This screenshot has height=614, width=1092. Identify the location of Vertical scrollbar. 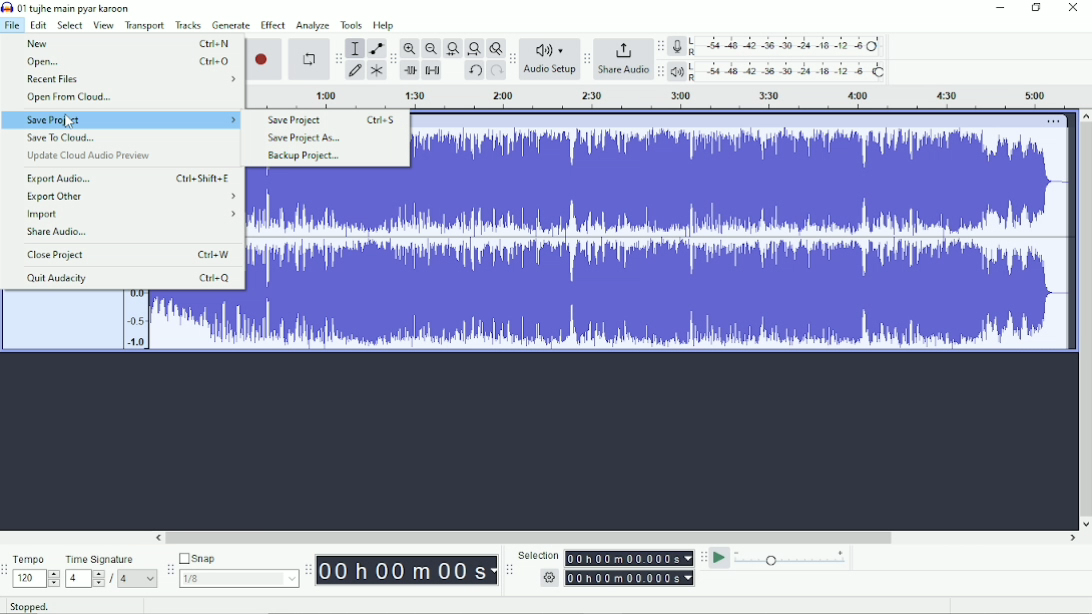
(1084, 320).